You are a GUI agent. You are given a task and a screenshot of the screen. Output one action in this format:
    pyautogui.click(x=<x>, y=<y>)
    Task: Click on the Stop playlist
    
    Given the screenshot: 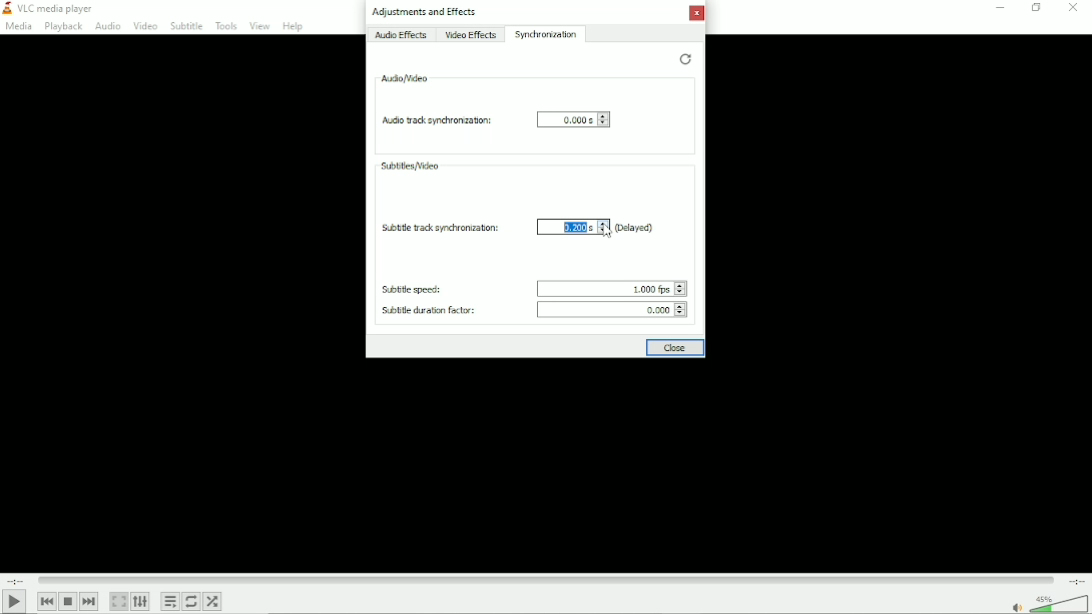 What is the action you would take?
    pyautogui.click(x=68, y=602)
    